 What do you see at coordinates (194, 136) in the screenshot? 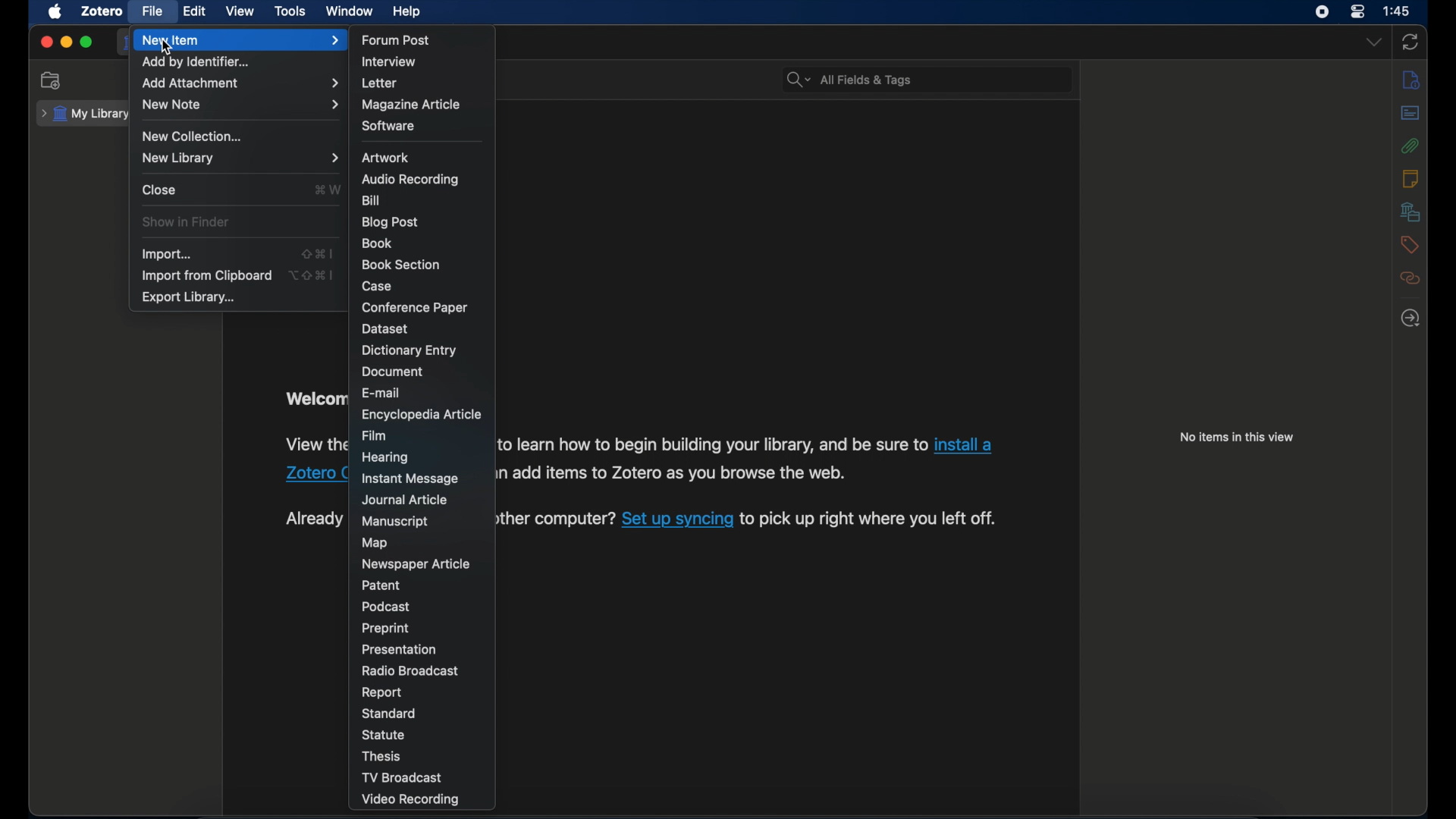
I see `new collection` at bounding box center [194, 136].